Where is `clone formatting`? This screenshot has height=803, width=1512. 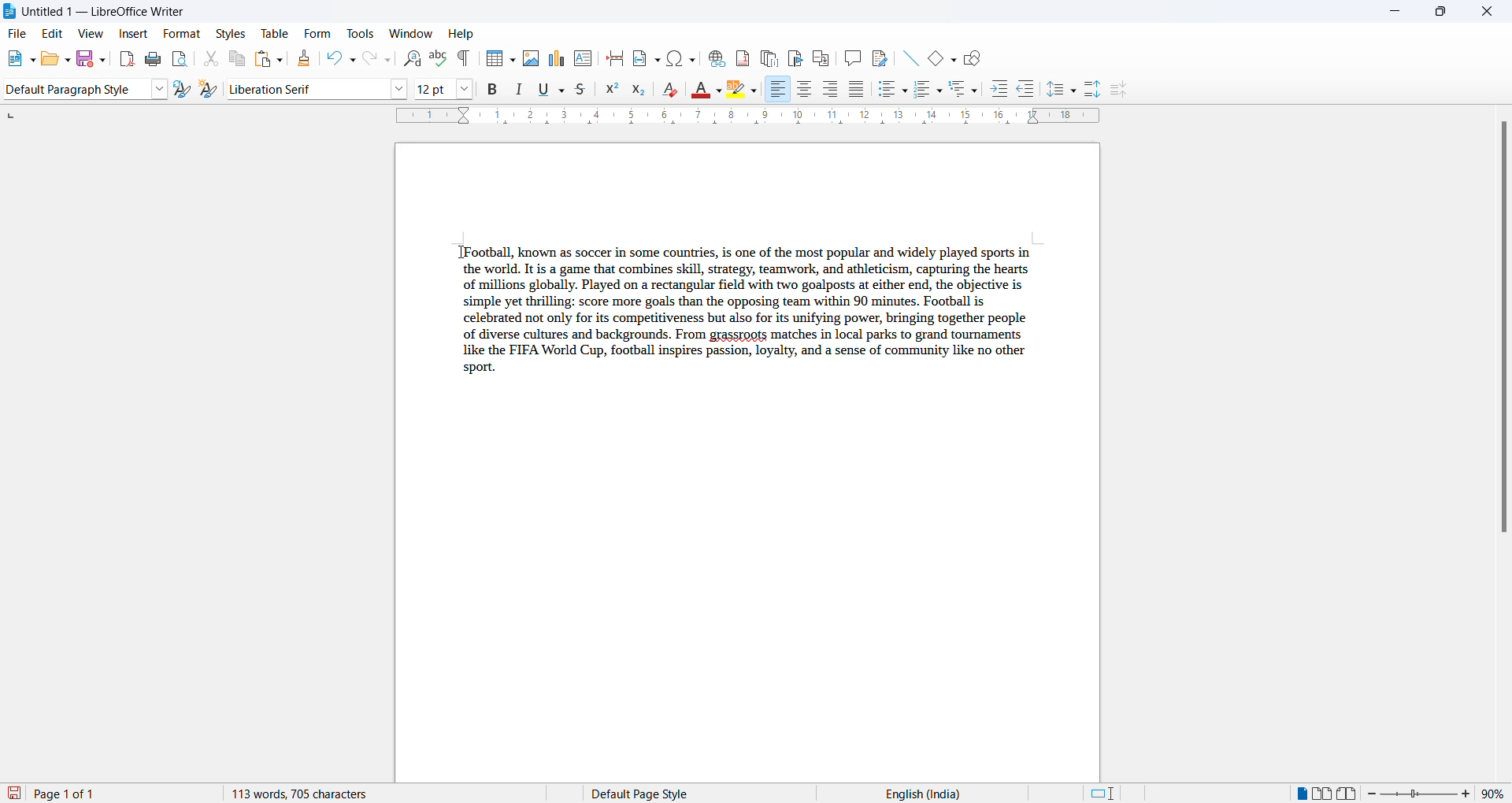 clone formatting is located at coordinates (306, 58).